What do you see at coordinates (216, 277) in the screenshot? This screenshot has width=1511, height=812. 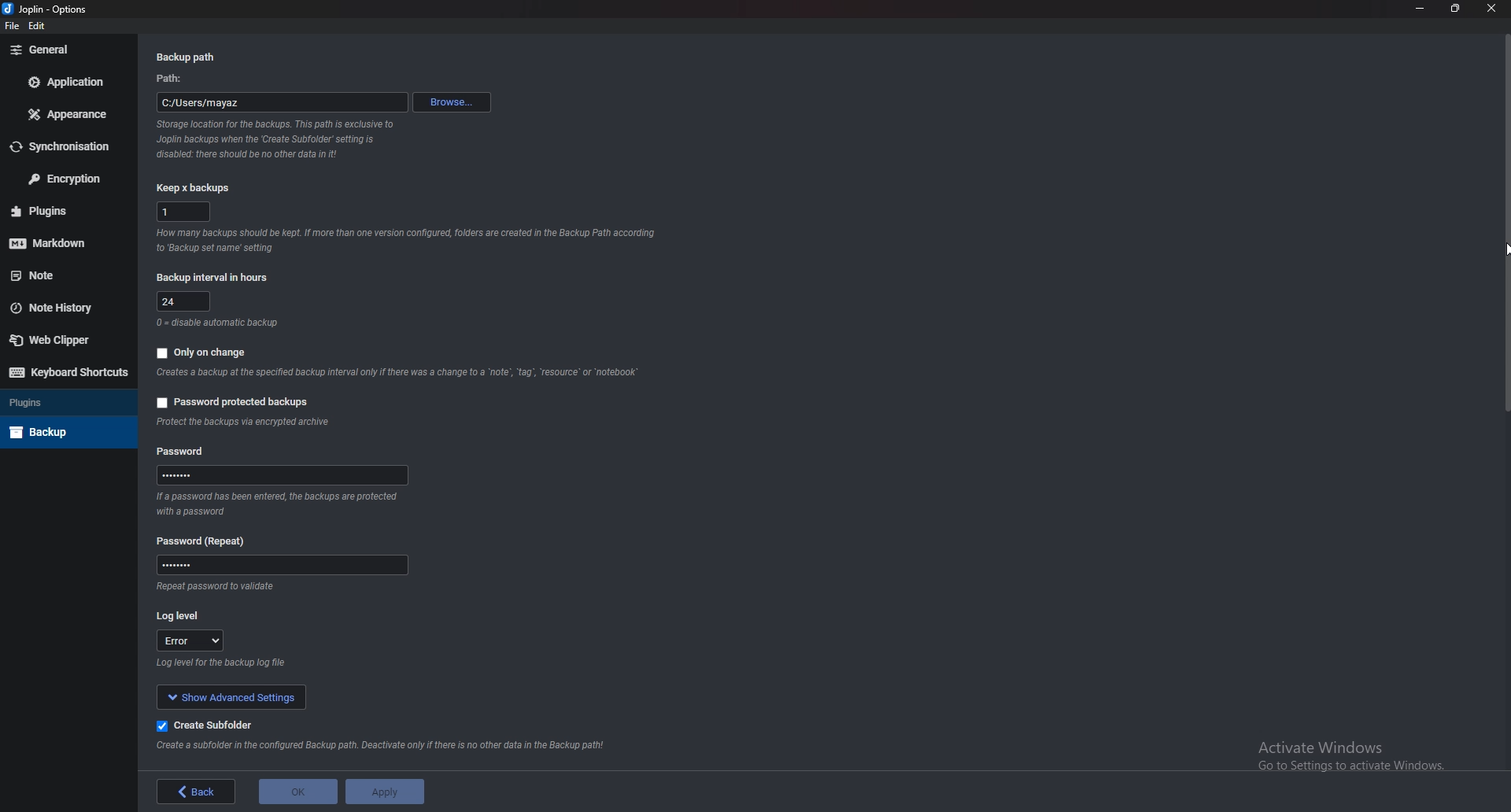 I see `Backup interval in hours` at bounding box center [216, 277].